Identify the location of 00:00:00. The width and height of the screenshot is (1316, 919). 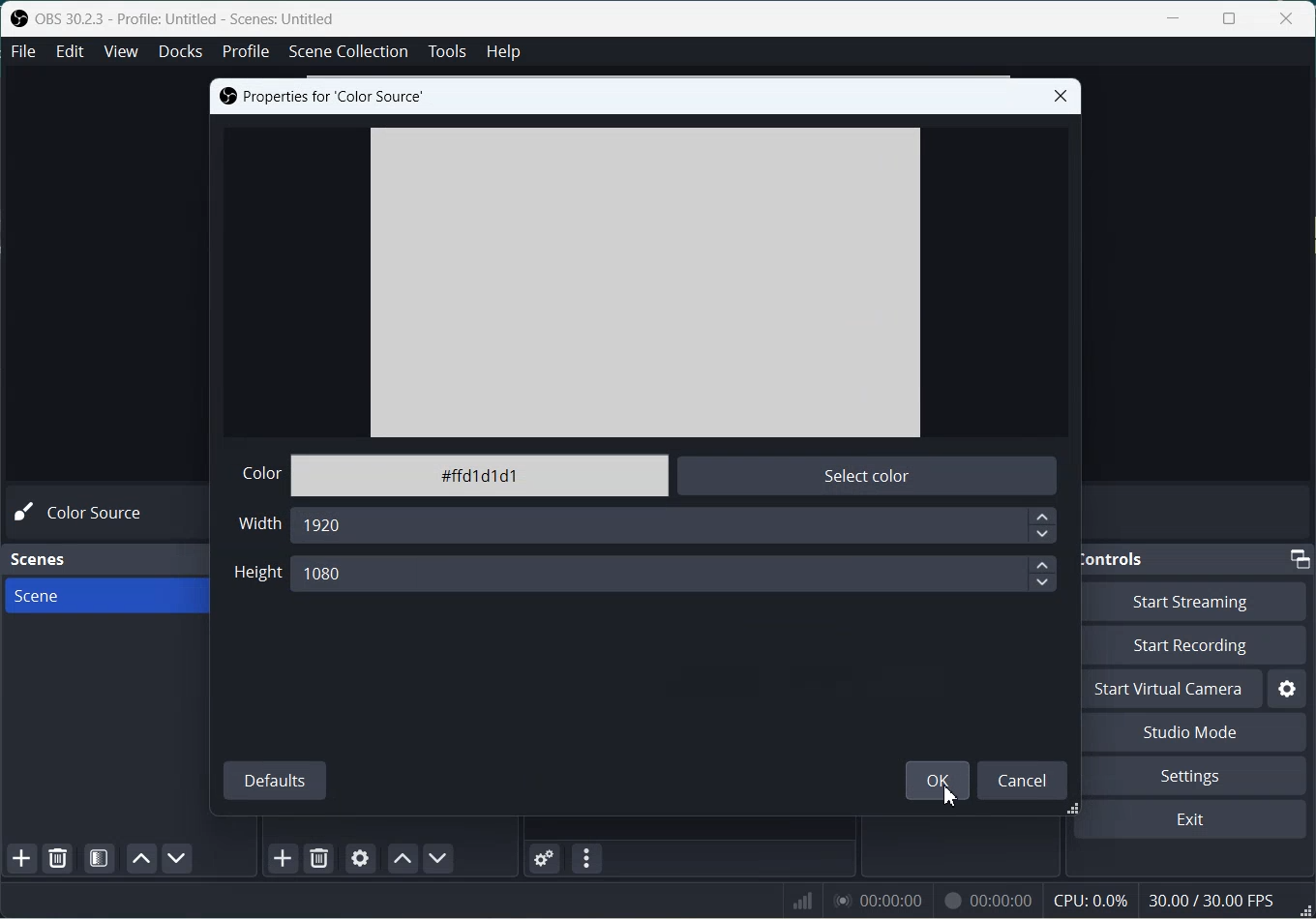
(881, 898).